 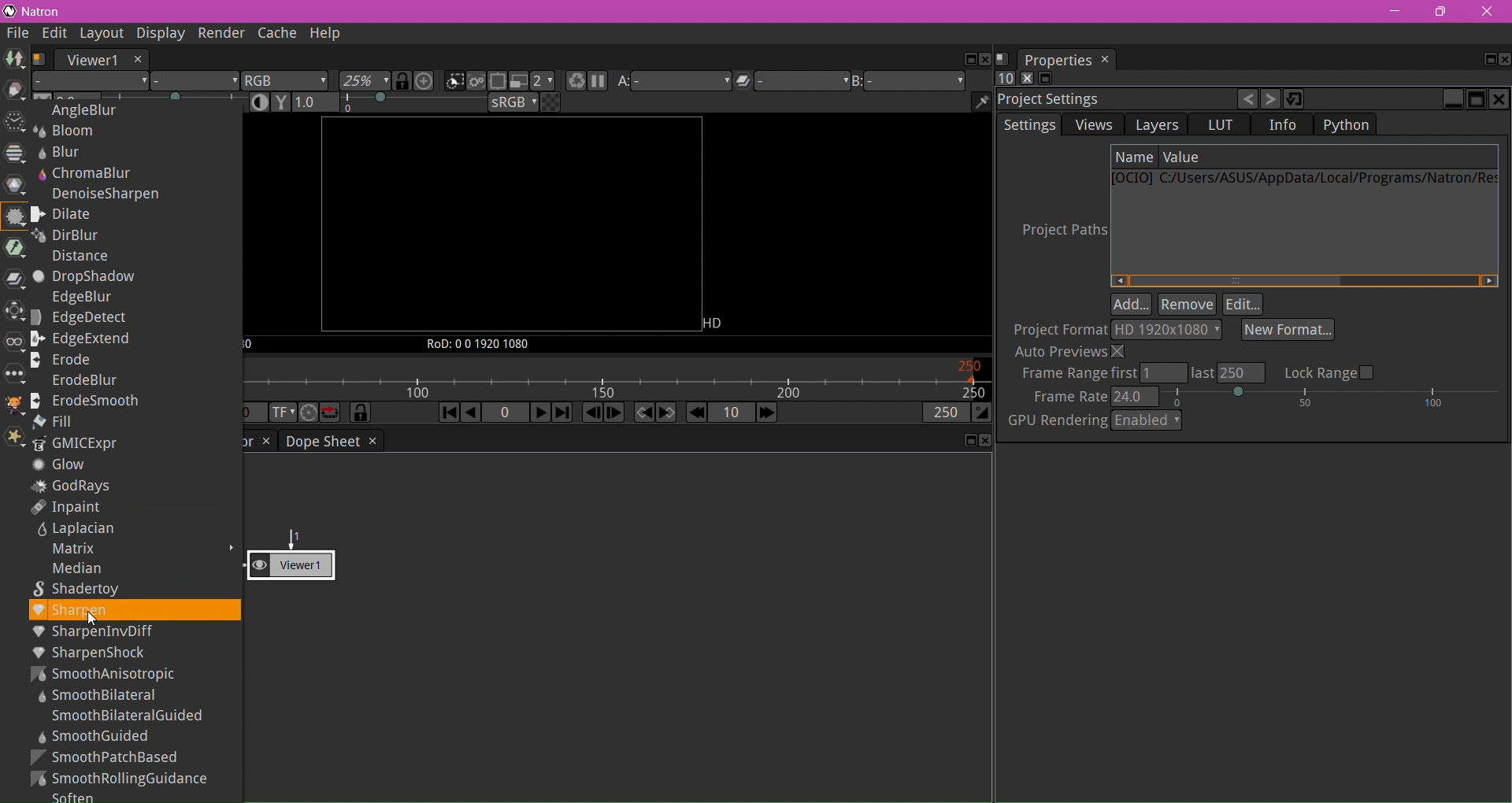 I want to click on When enabled, all the viewers will be synchronized to the sme portion of the image in the viewport, so click(x=403, y=81).